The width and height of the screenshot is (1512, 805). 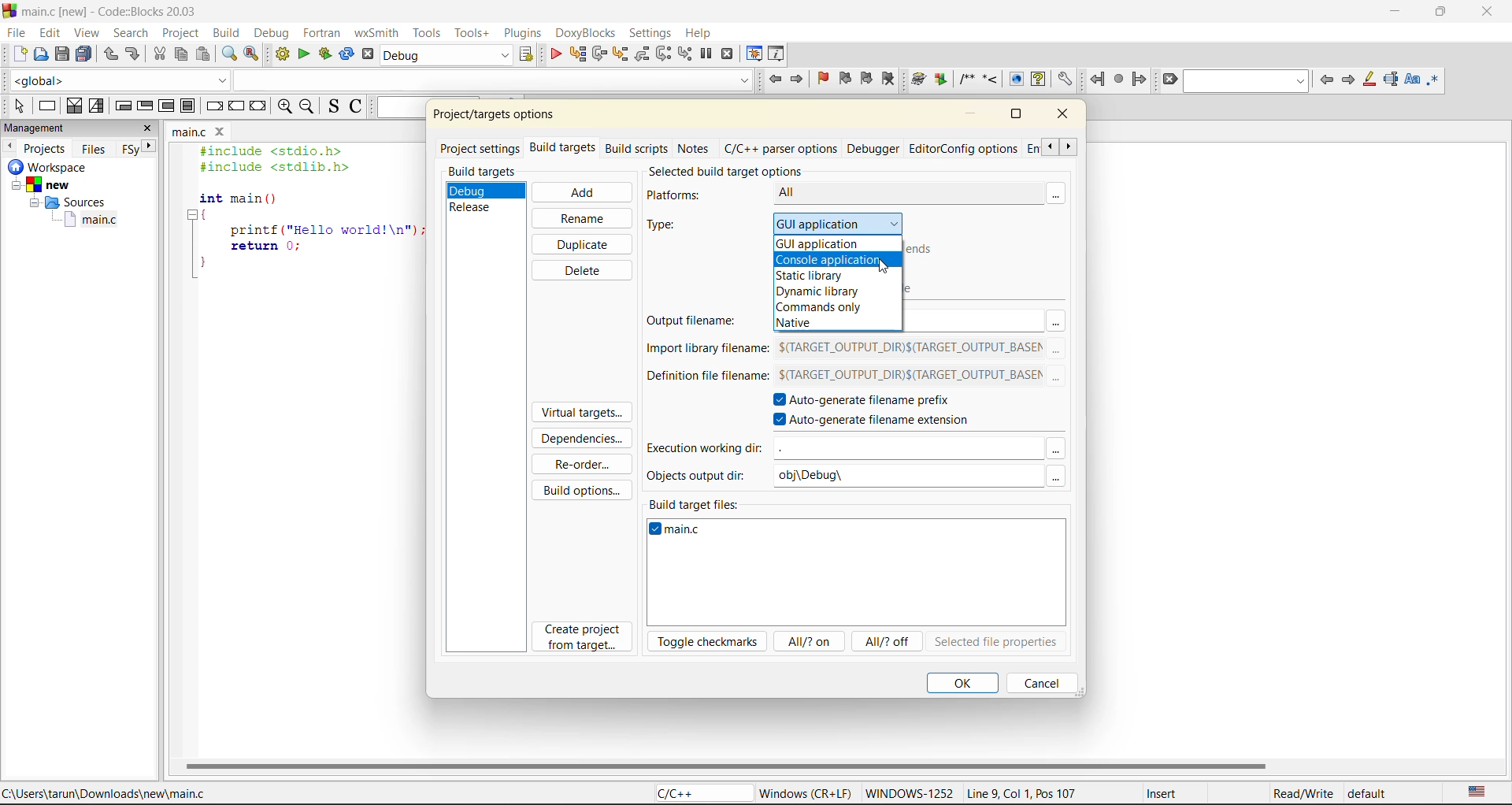 I want to click on next instruction, so click(x=661, y=53).